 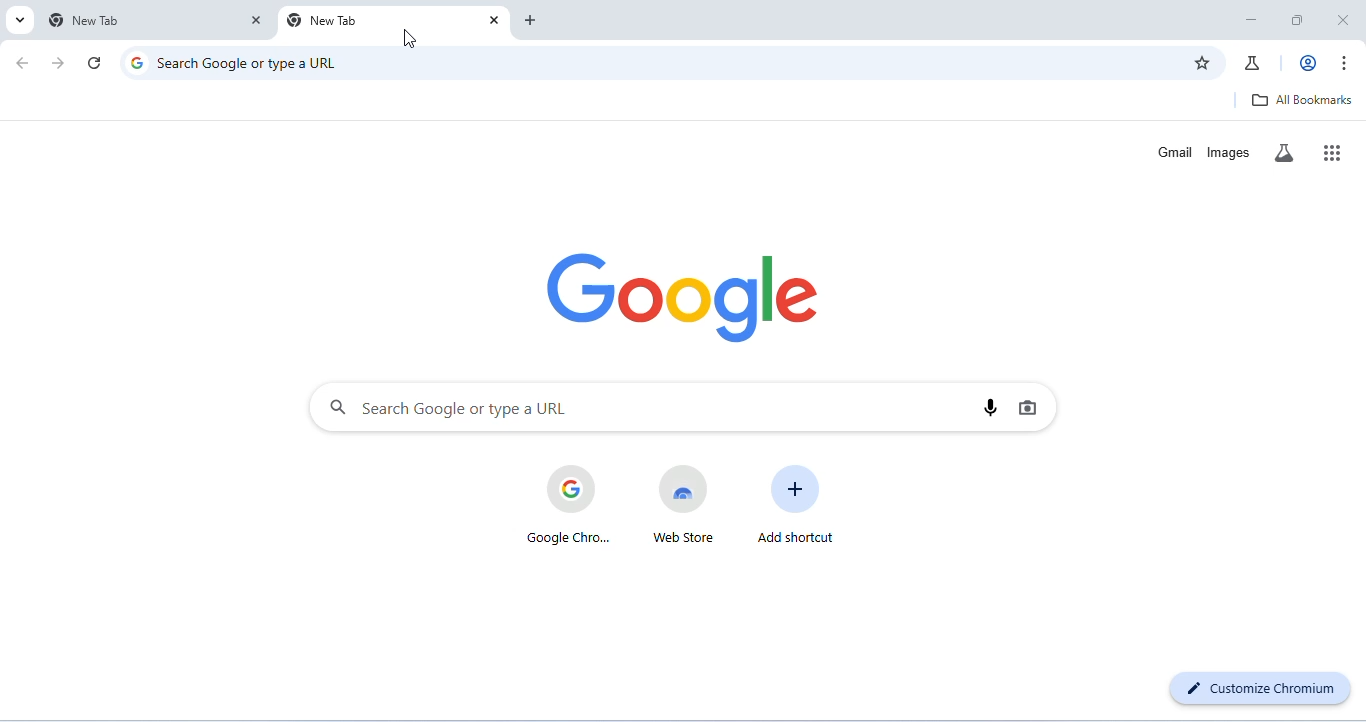 What do you see at coordinates (568, 504) in the screenshot?
I see `google chrome ` at bounding box center [568, 504].